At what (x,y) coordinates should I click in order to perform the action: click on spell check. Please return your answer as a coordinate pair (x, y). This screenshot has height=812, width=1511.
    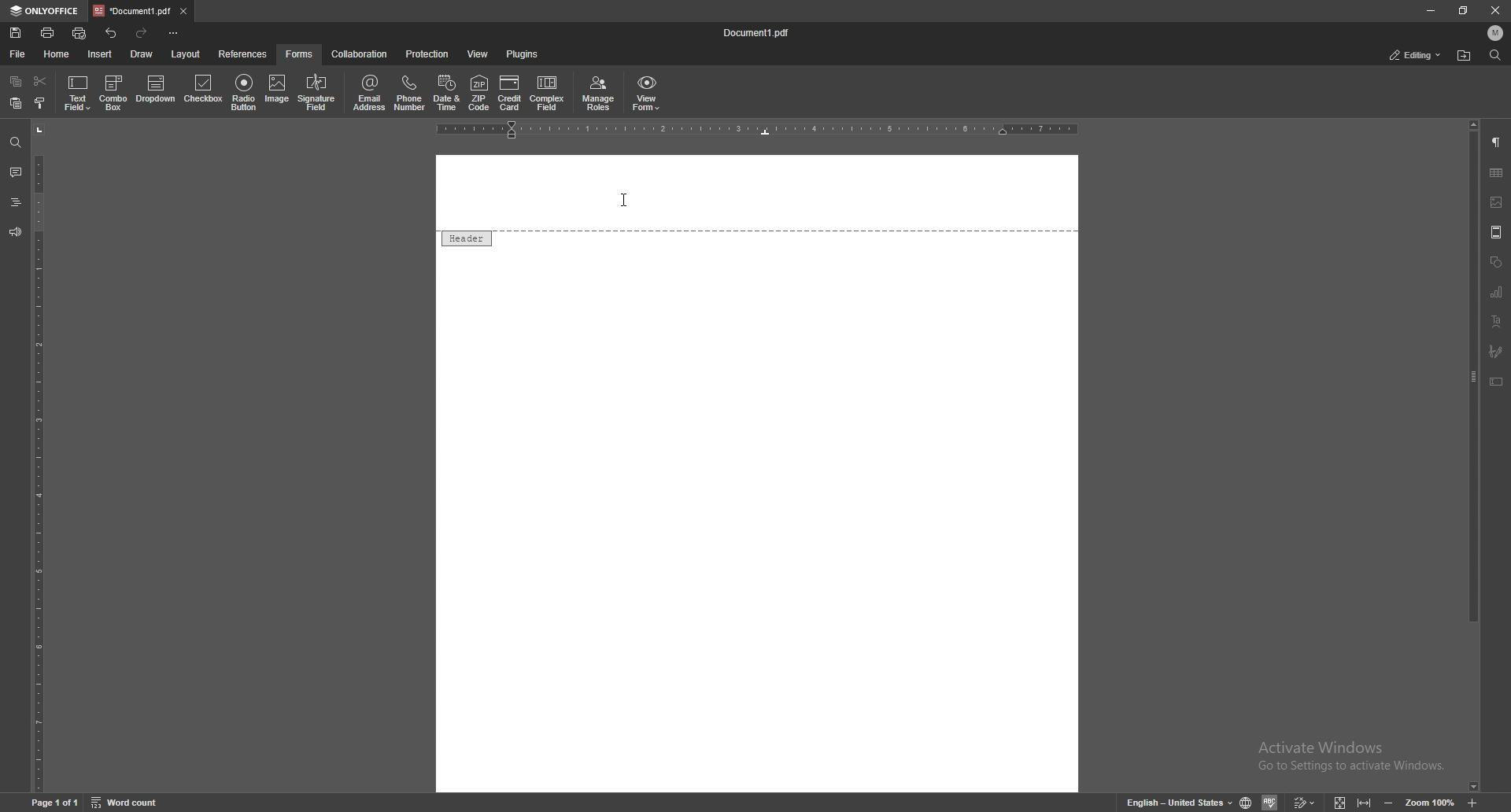
    Looking at the image, I should click on (1272, 800).